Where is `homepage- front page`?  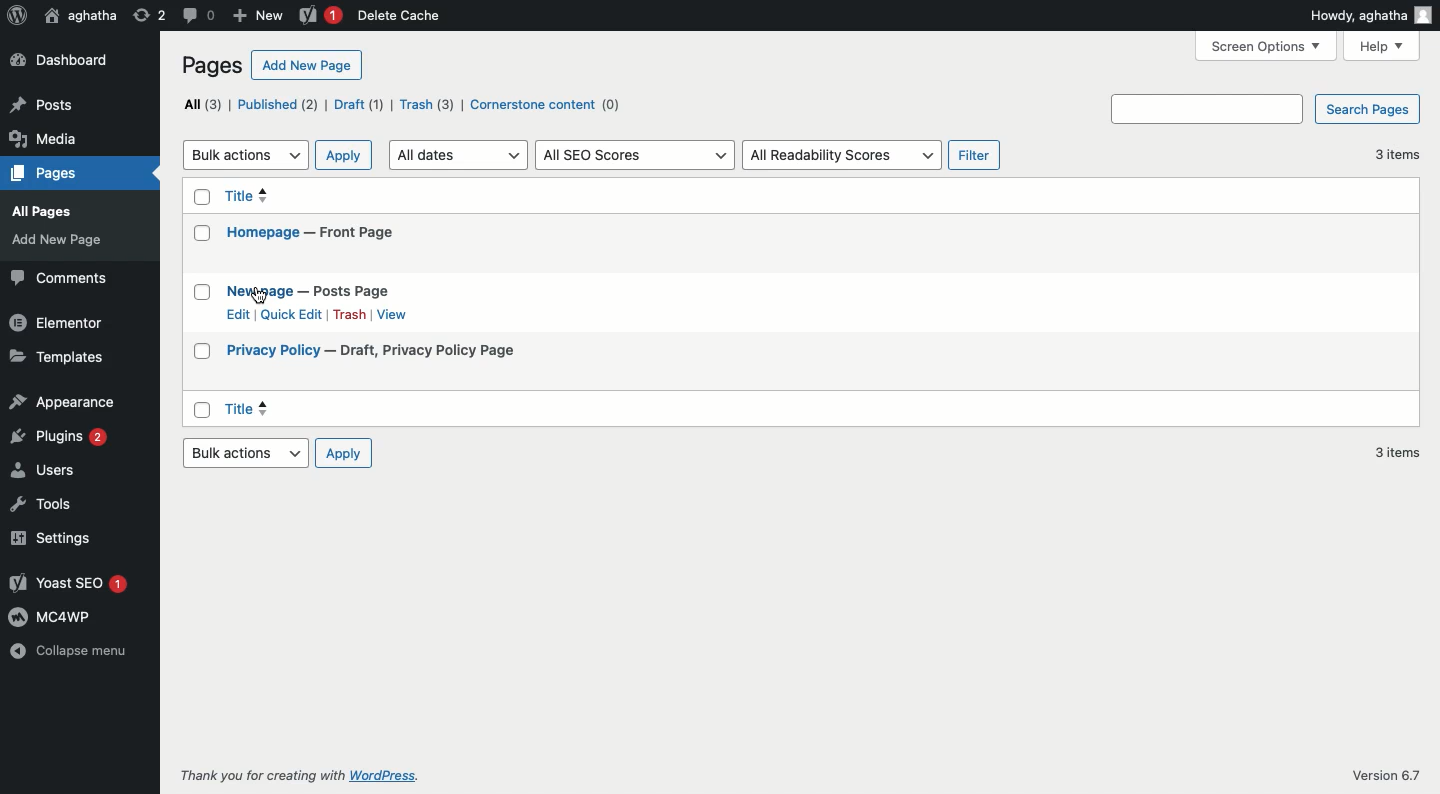 homepage- front page is located at coordinates (321, 236).